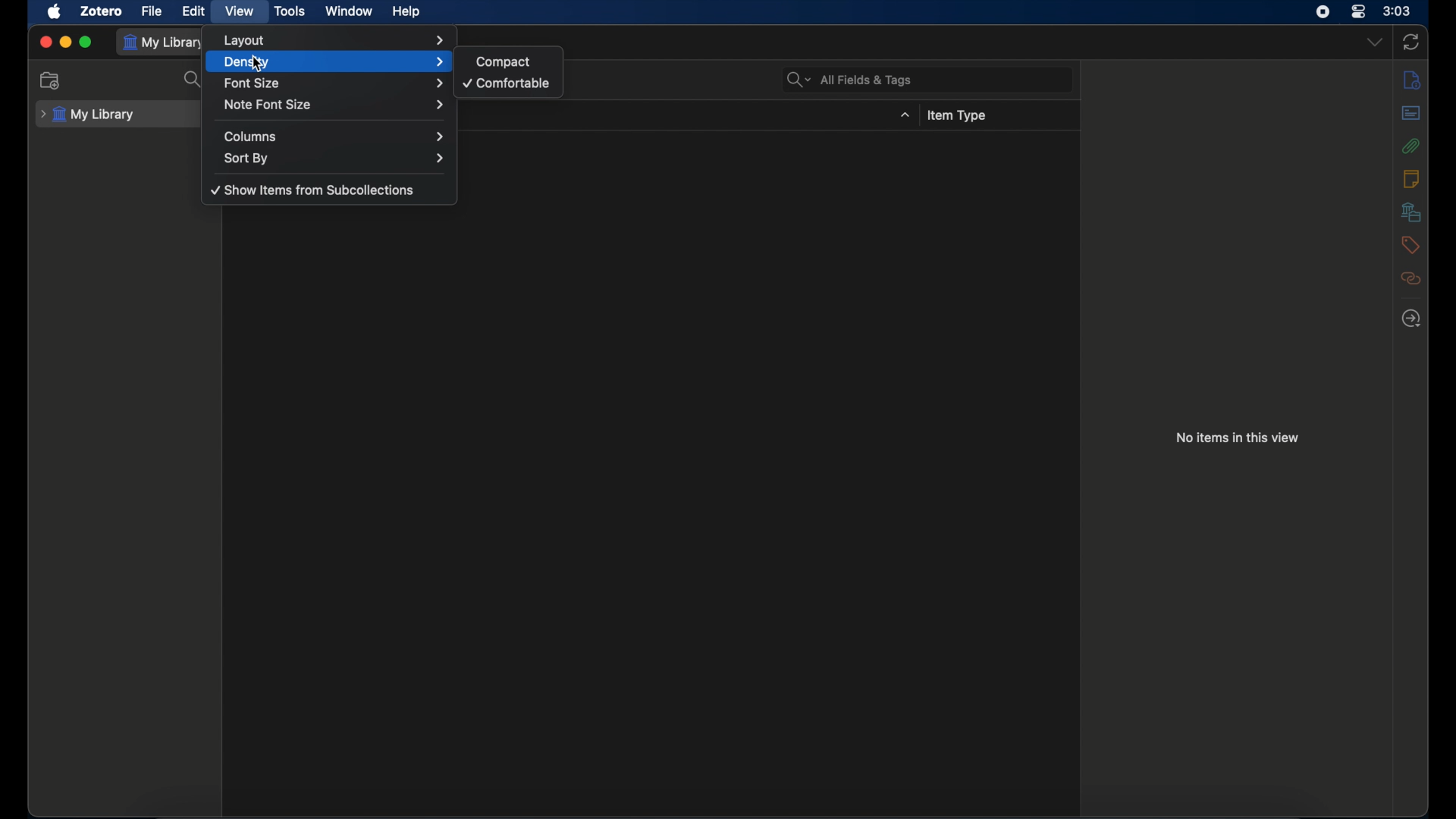 This screenshot has width=1456, height=819. Describe the element at coordinates (240, 11) in the screenshot. I see `view` at that location.